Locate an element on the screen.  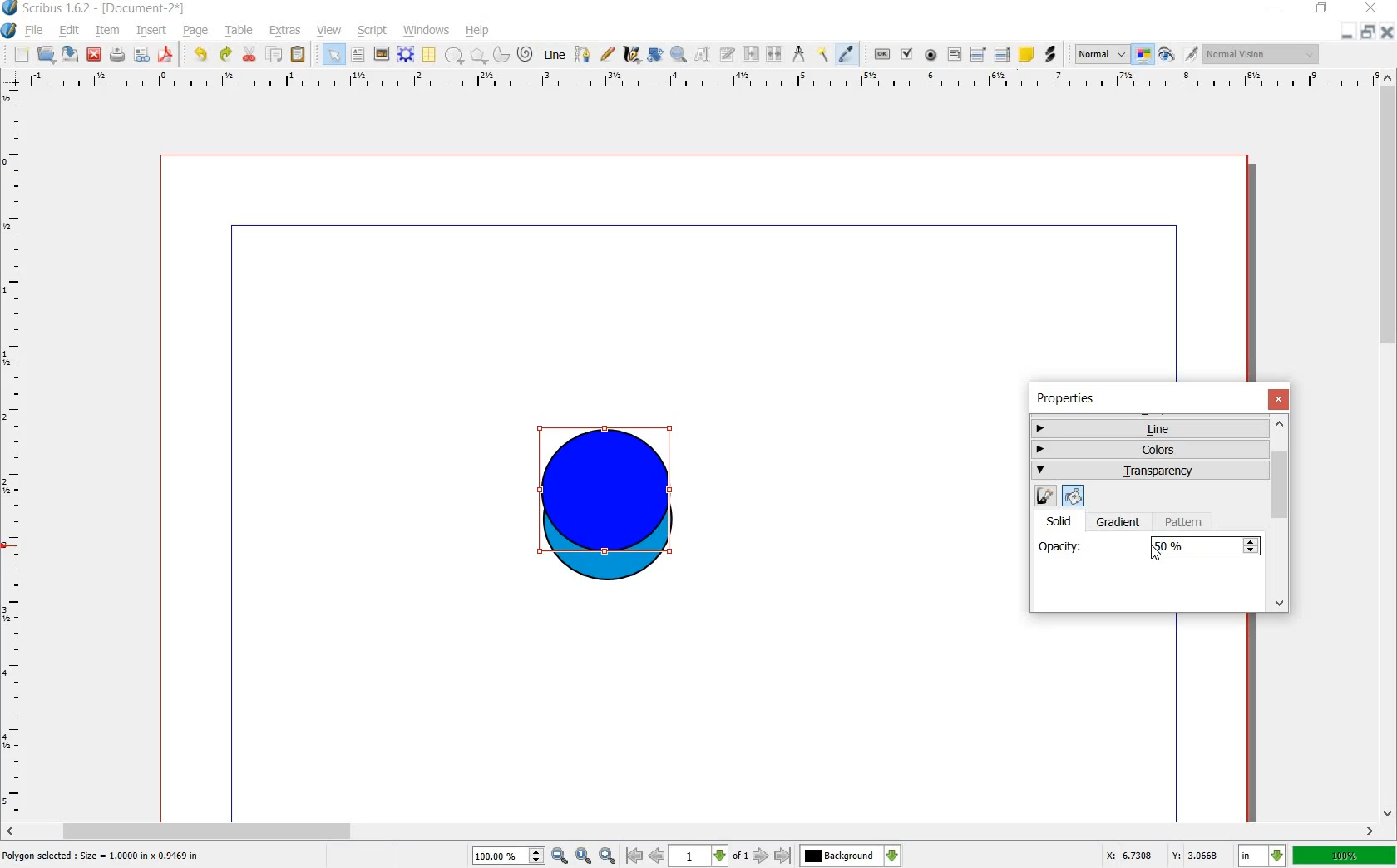
close is located at coordinates (1374, 8).